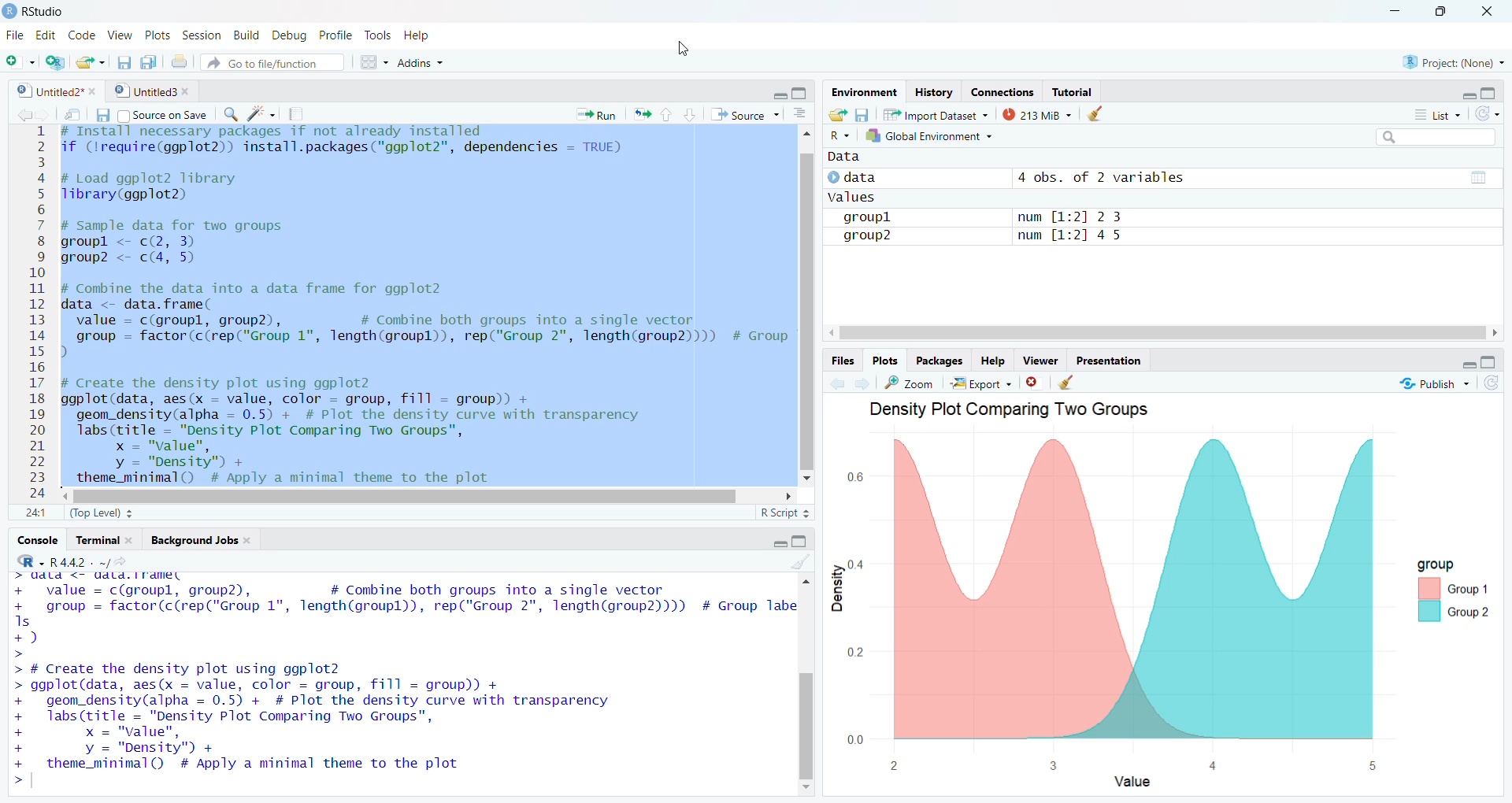 The width and height of the screenshot is (1512, 803). I want to click on edit, so click(44, 33).